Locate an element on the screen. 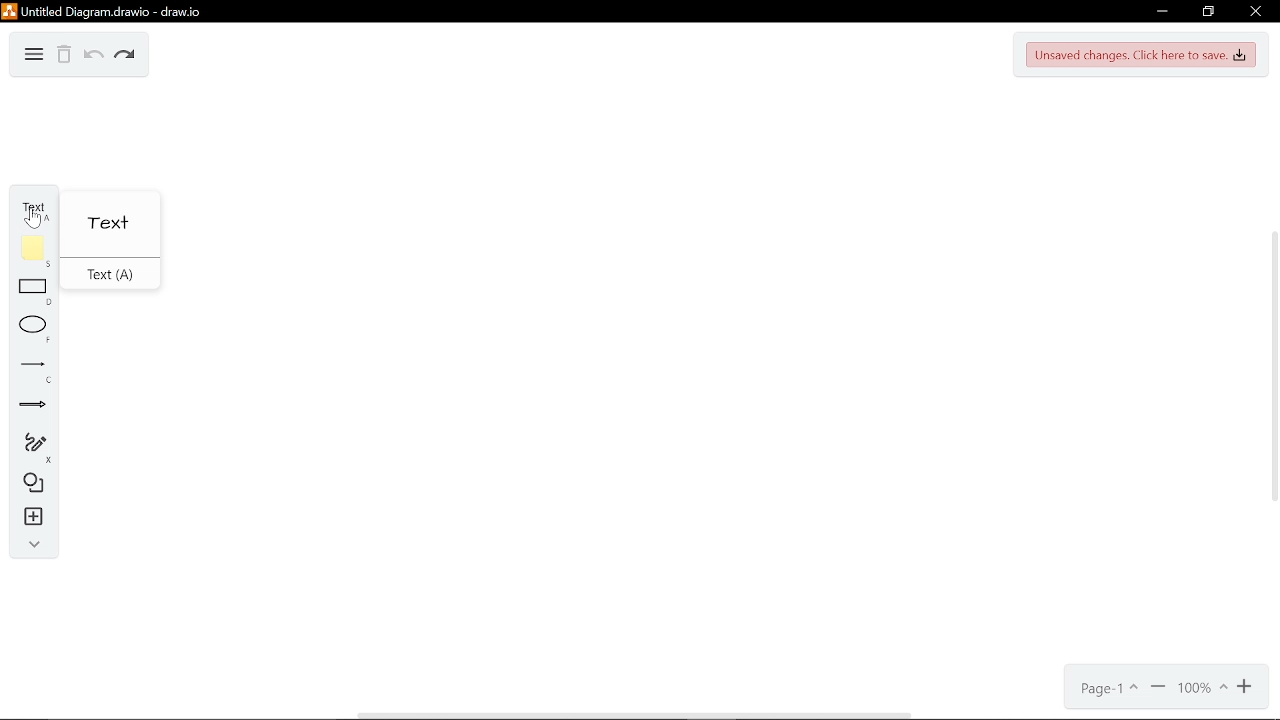  Arrow is located at coordinates (29, 408).